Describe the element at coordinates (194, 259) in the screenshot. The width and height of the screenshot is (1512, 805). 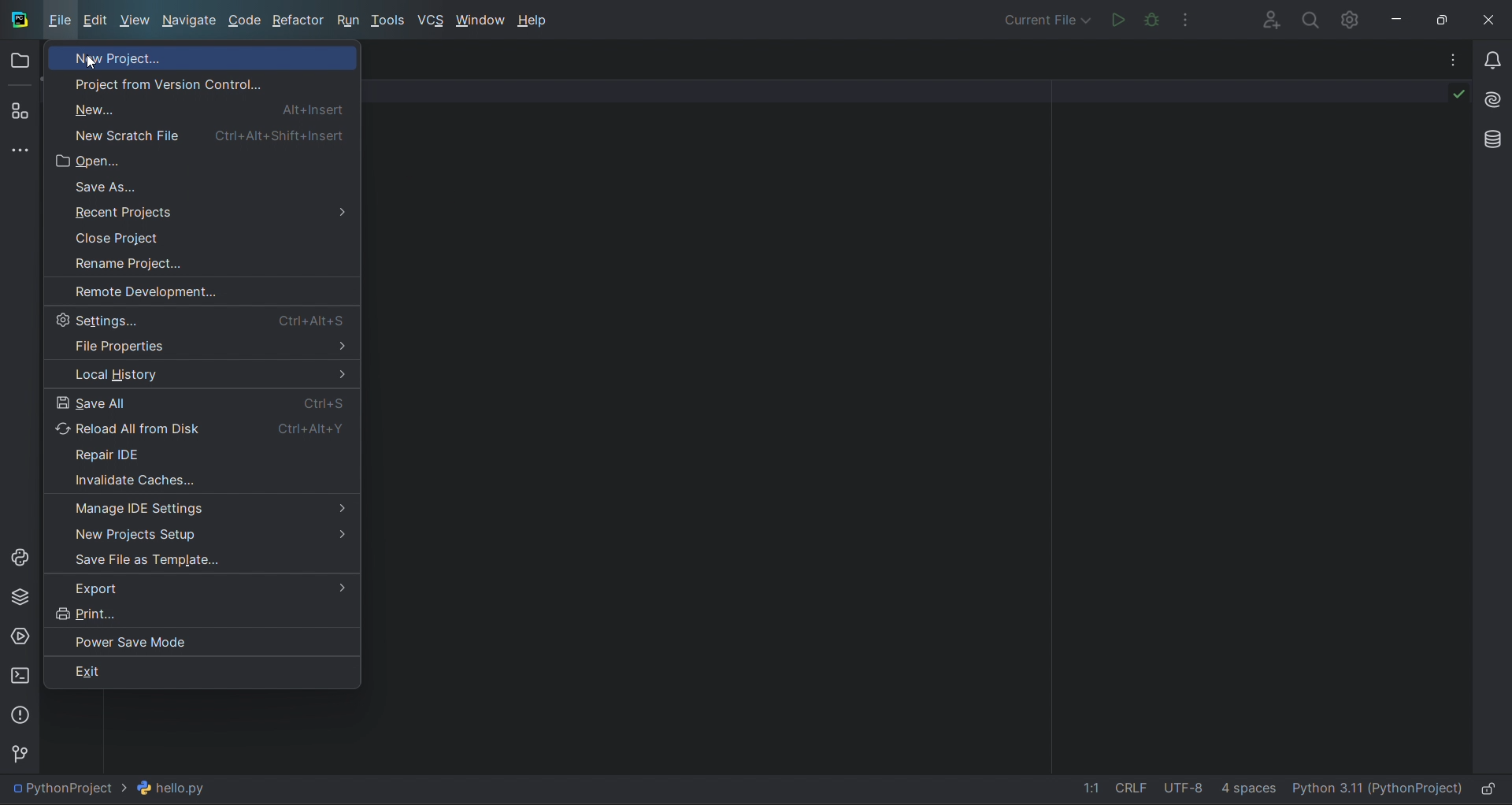
I see `rename` at that location.